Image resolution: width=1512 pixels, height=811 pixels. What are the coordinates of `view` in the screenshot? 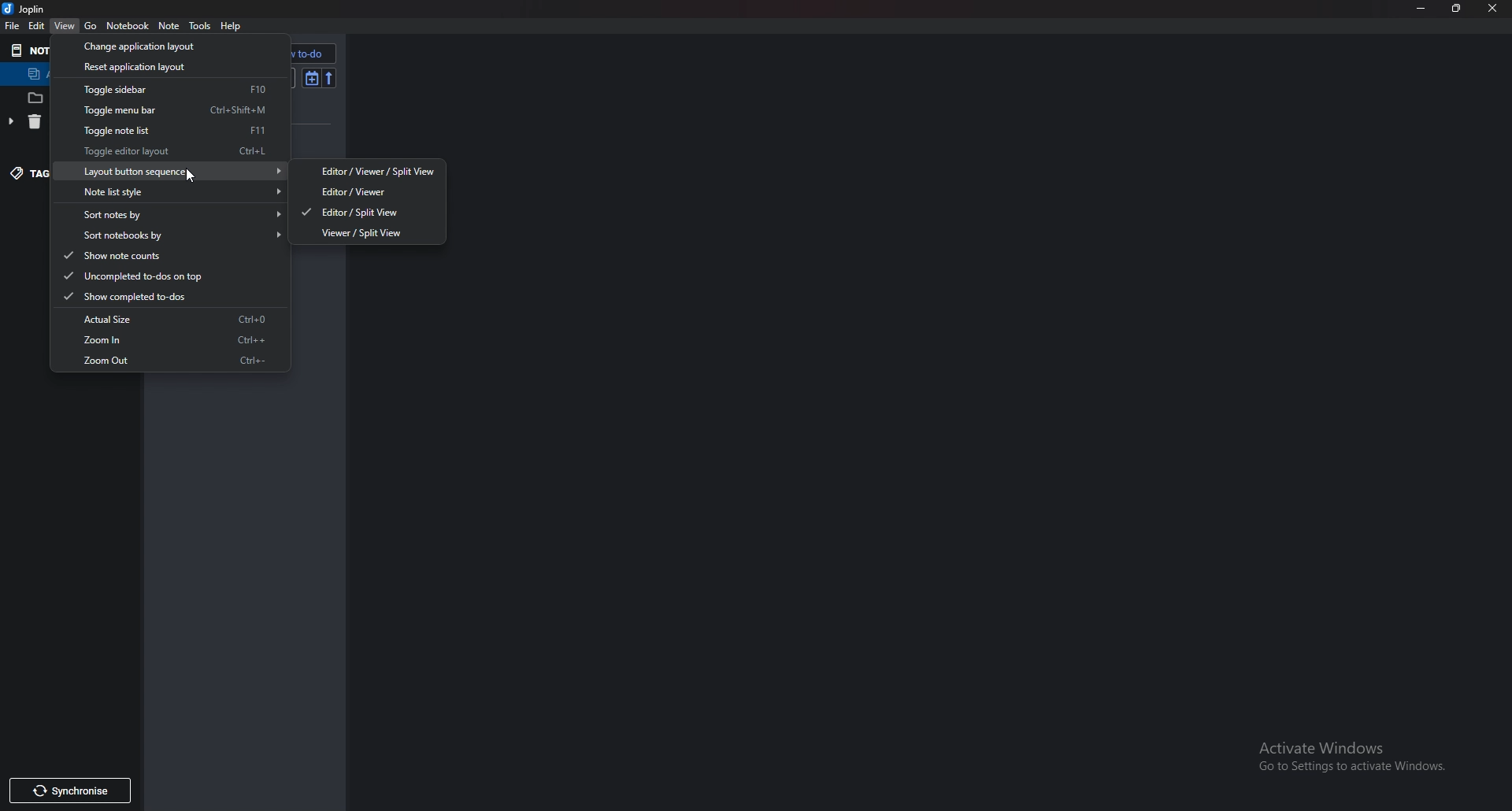 It's located at (66, 26).